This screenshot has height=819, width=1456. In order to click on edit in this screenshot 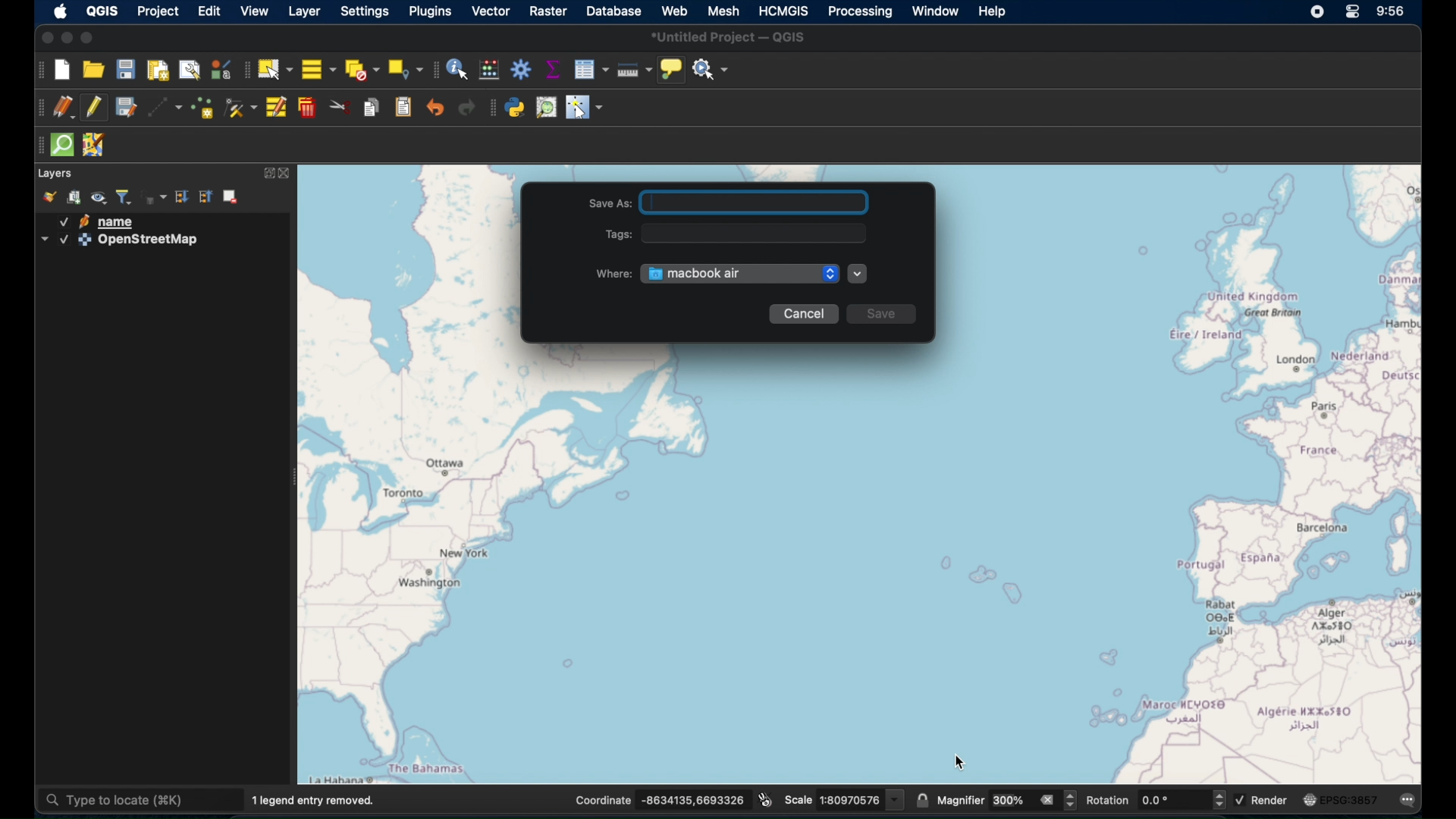, I will do `click(210, 11)`.